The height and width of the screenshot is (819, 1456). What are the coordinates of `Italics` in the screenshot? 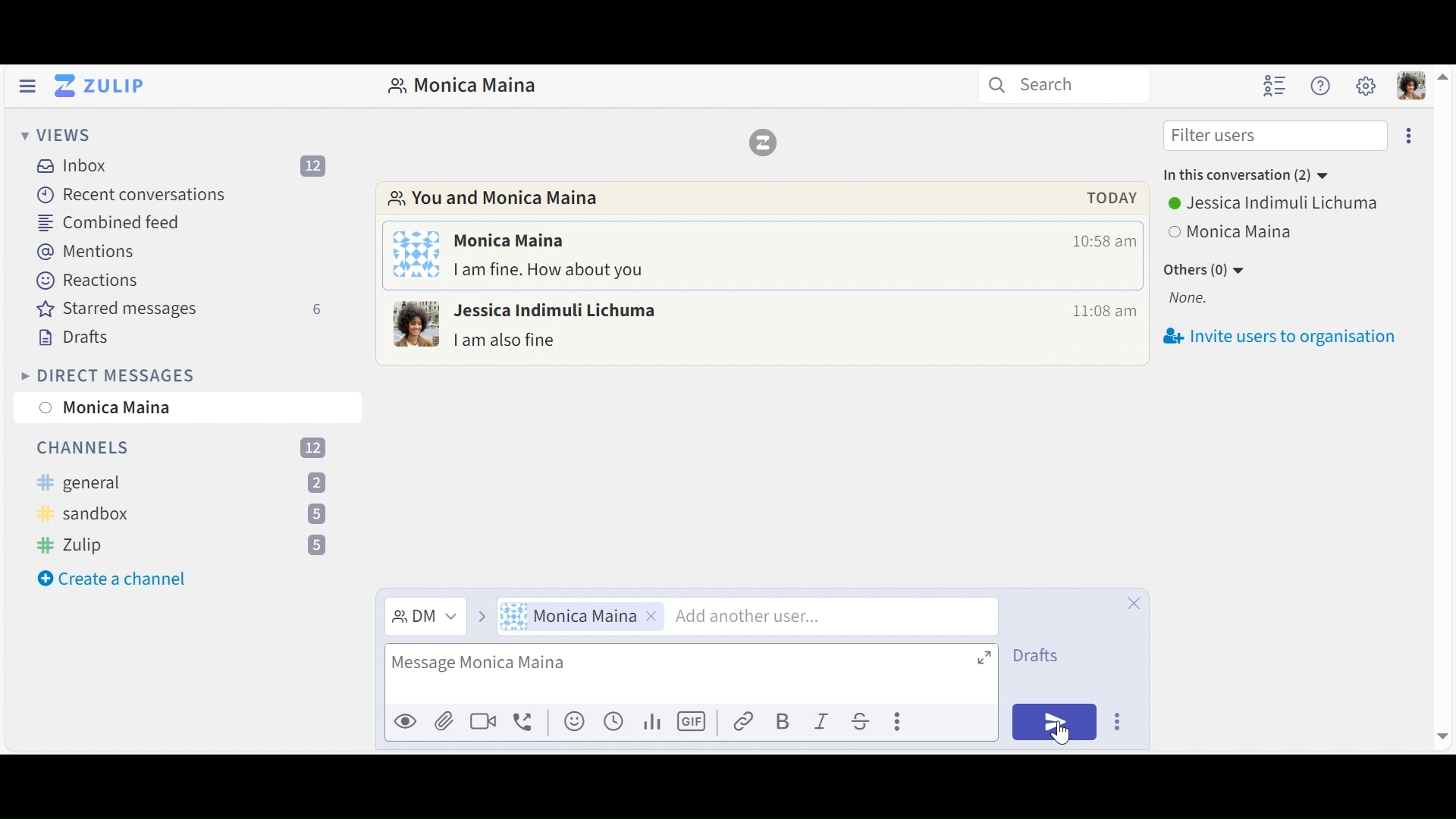 It's located at (825, 721).